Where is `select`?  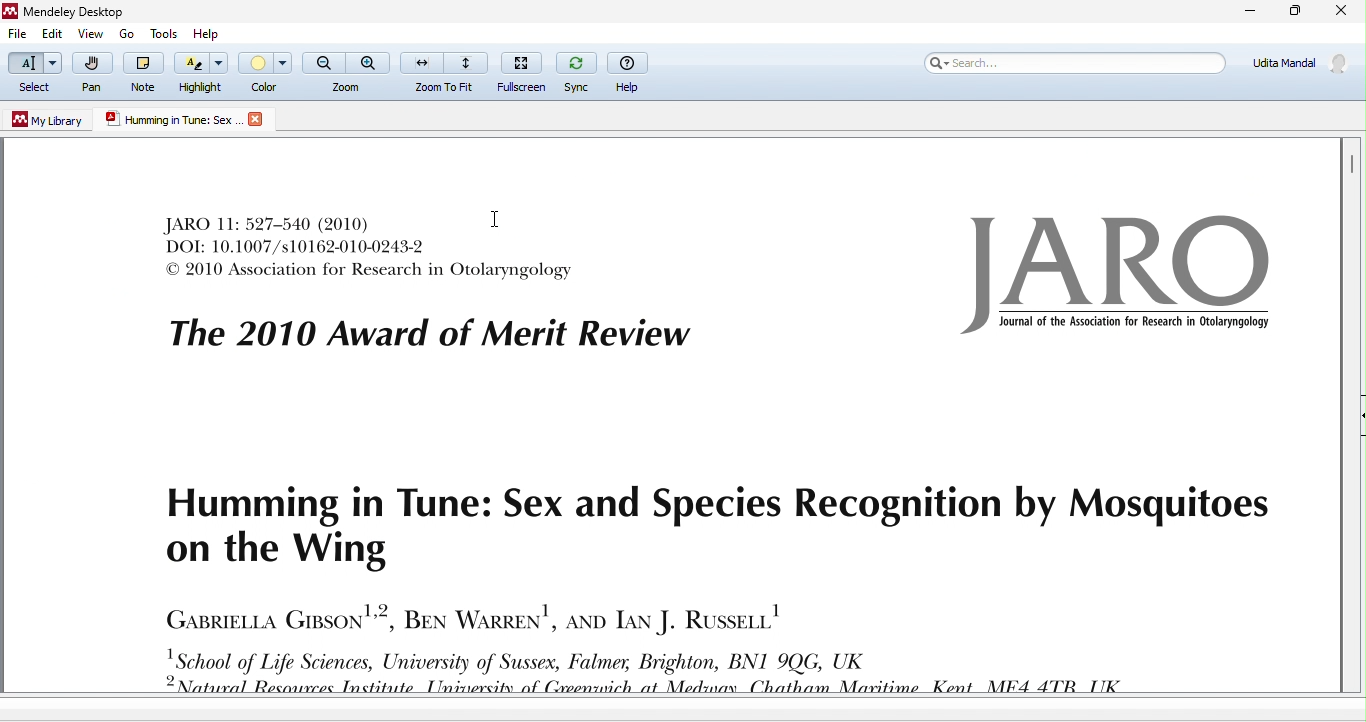
select is located at coordinates (36, 73).